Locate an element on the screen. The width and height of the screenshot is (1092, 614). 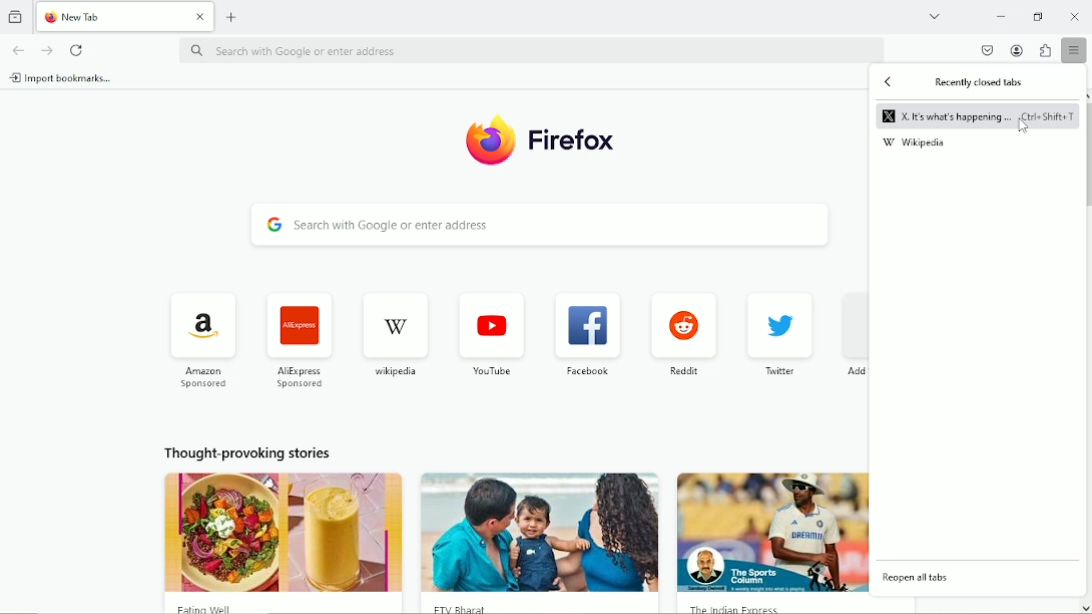
icon is located at coordinates (392, 328).